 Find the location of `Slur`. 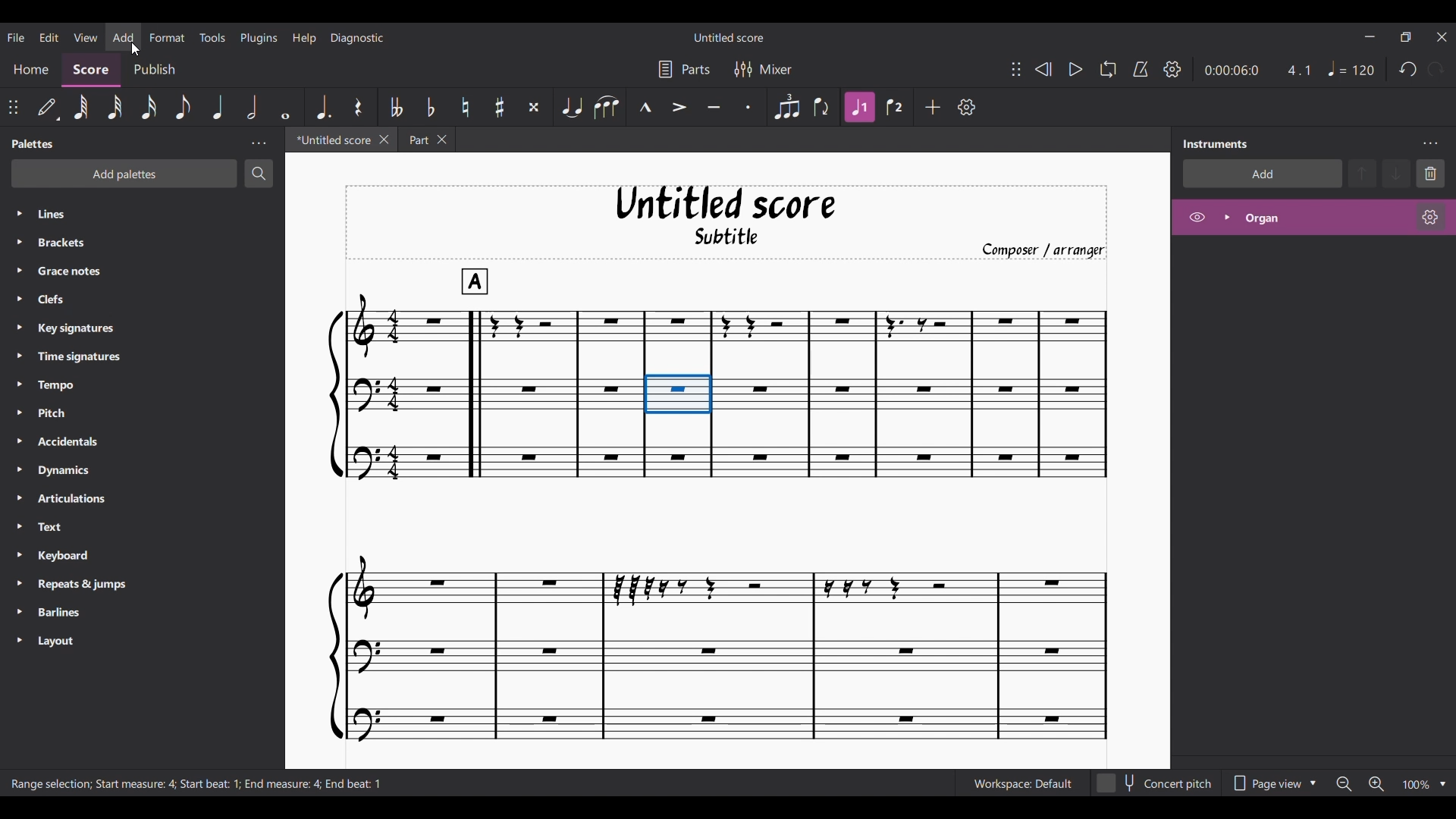

Slur is located at coordinates (607, 108).